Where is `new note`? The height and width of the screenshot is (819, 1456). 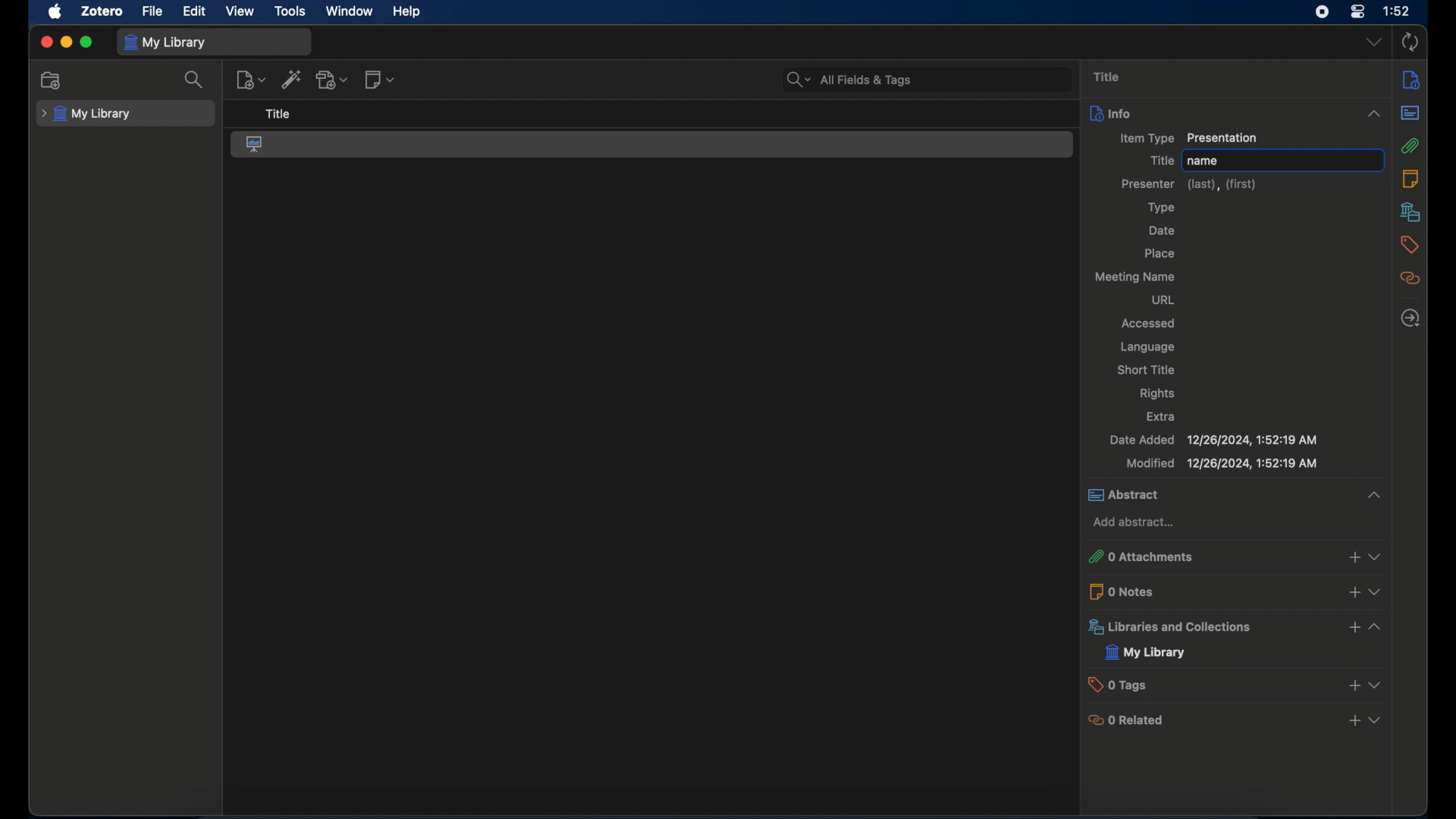 new note is located at coordinates (381, 80).